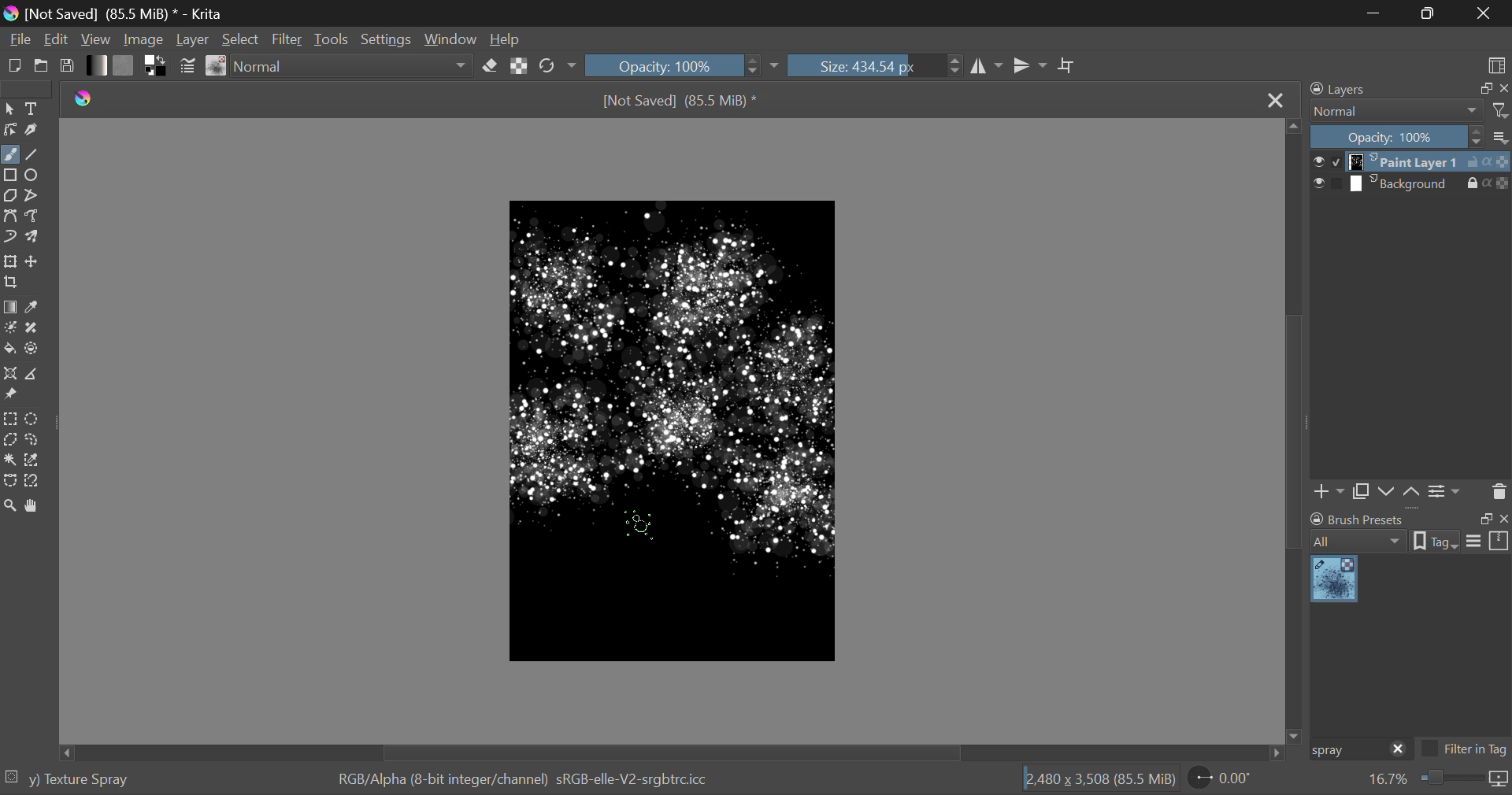 The height and width of the screenshot is (795, 1512). What do you see at coordinates (354, 66) in the screenshot?
I see `Blending Mode` at bounding box center [354, 66].